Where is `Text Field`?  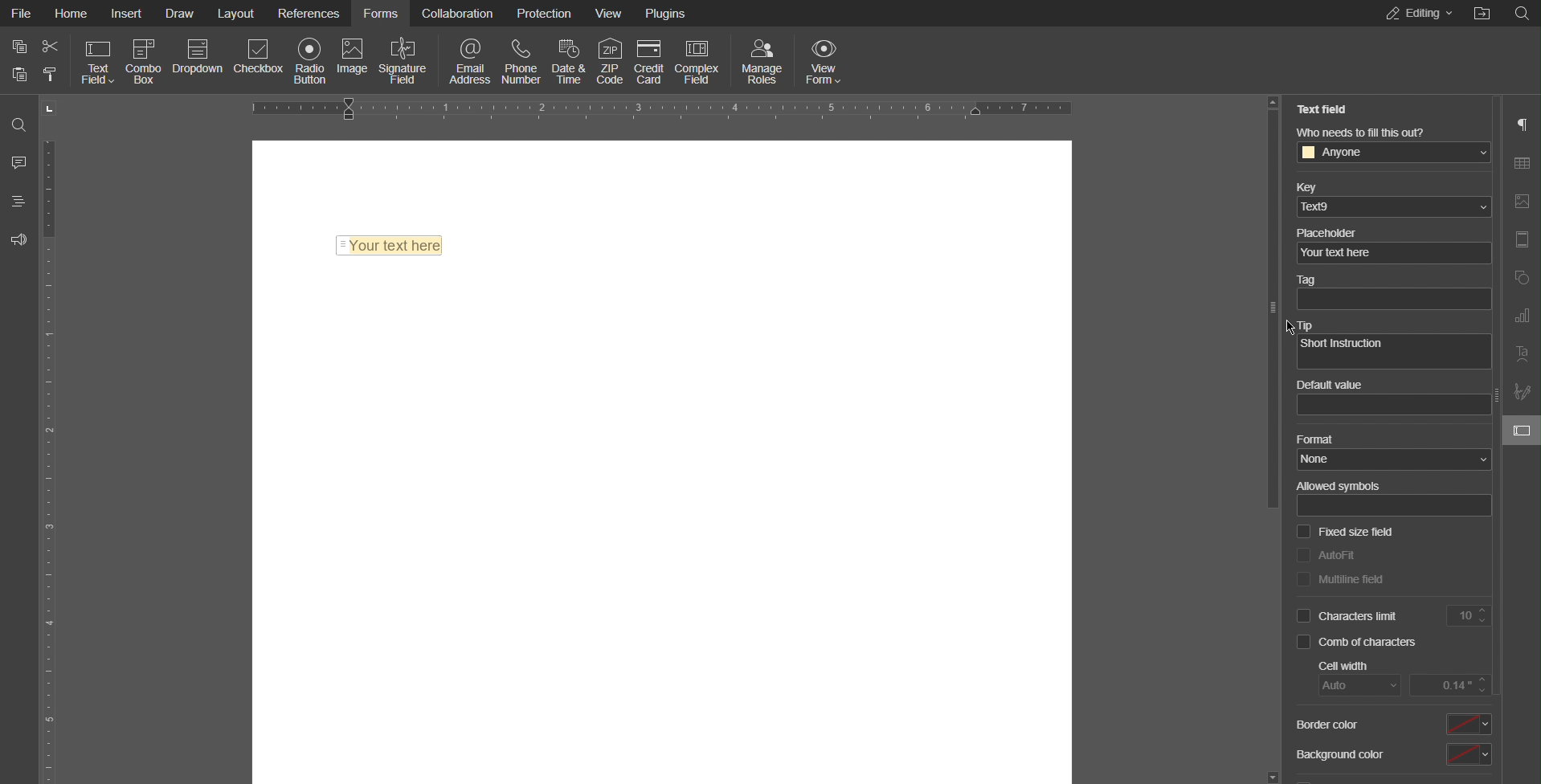
Text Field is located at coordinates (388, 247).